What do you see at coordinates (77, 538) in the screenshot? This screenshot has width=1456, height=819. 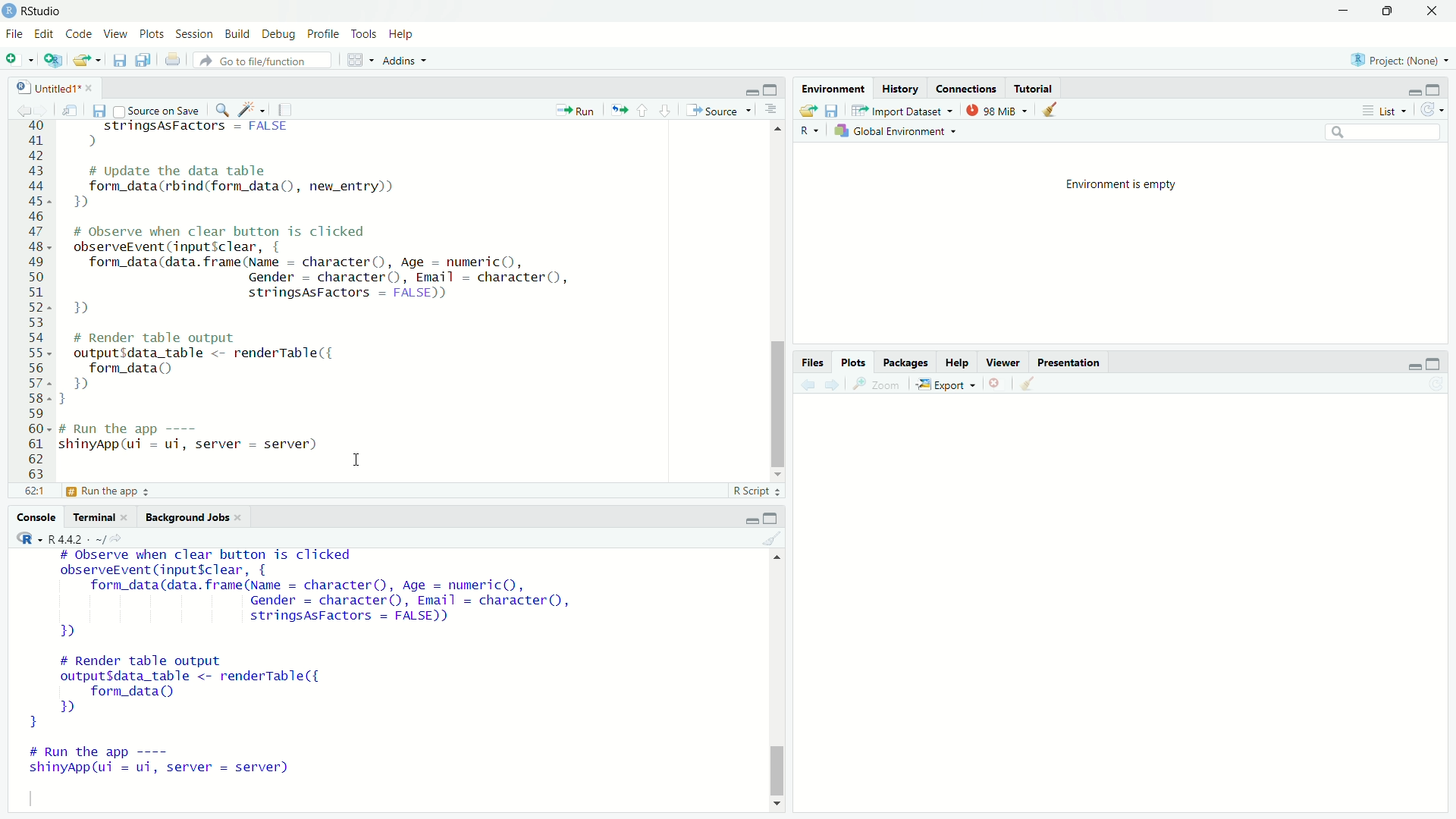 I see `R 4.4.2 . ~/` at bounding box center [77, 538].